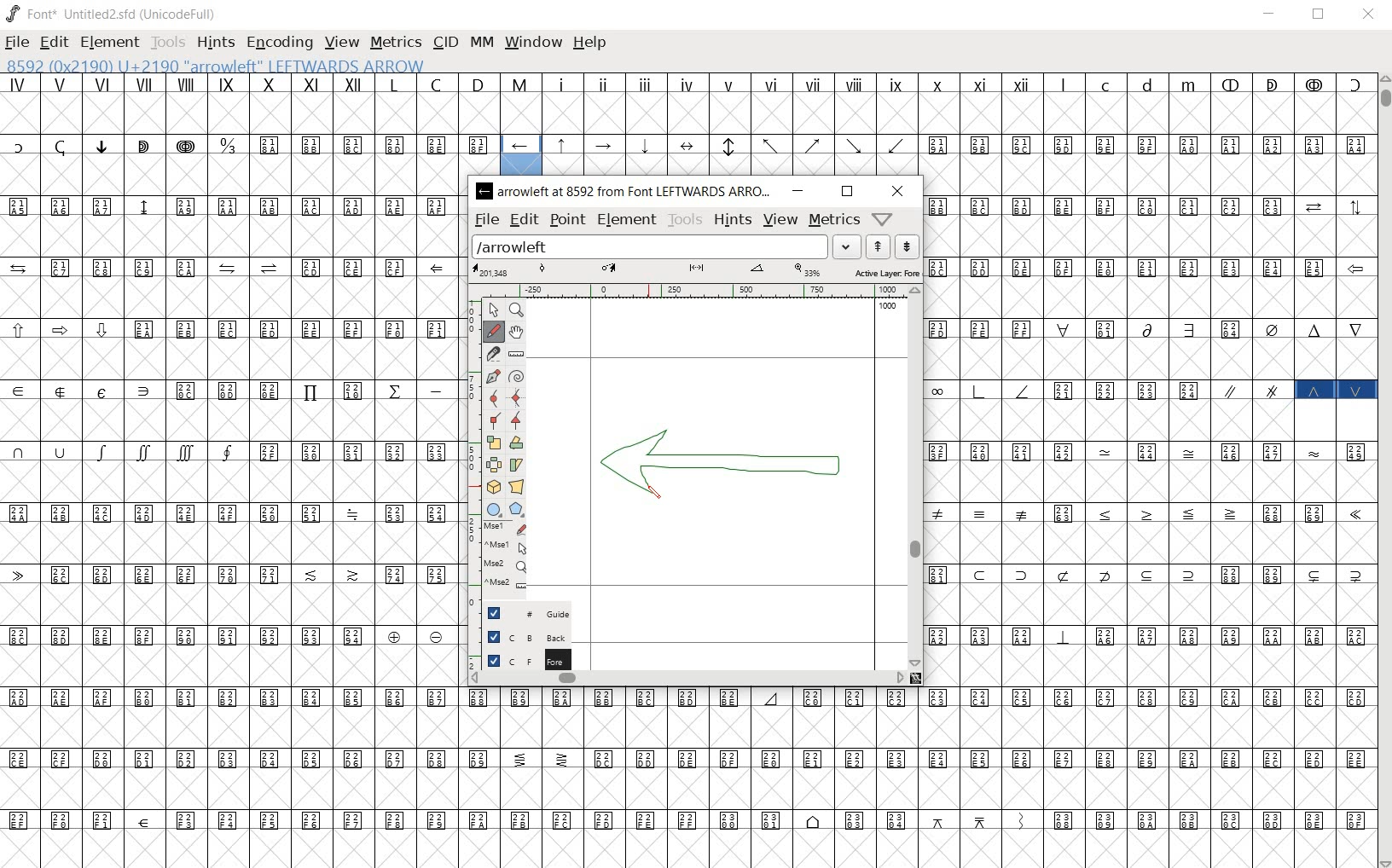 This screenshot has height=868, width=1392. I want to click on glyph, so click(693, 774).